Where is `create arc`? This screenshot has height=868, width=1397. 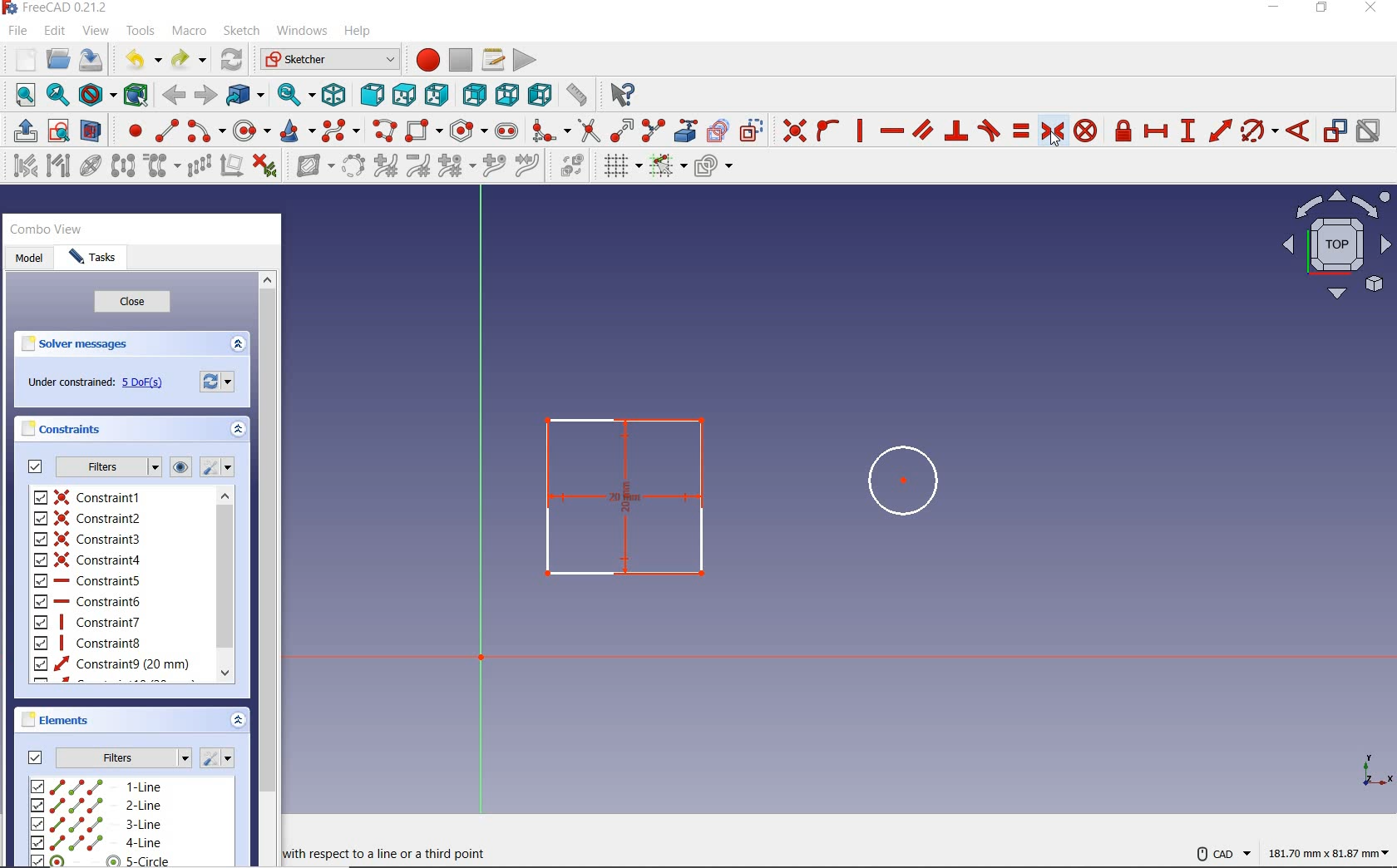 create arc is located at coordinates (205, 131).